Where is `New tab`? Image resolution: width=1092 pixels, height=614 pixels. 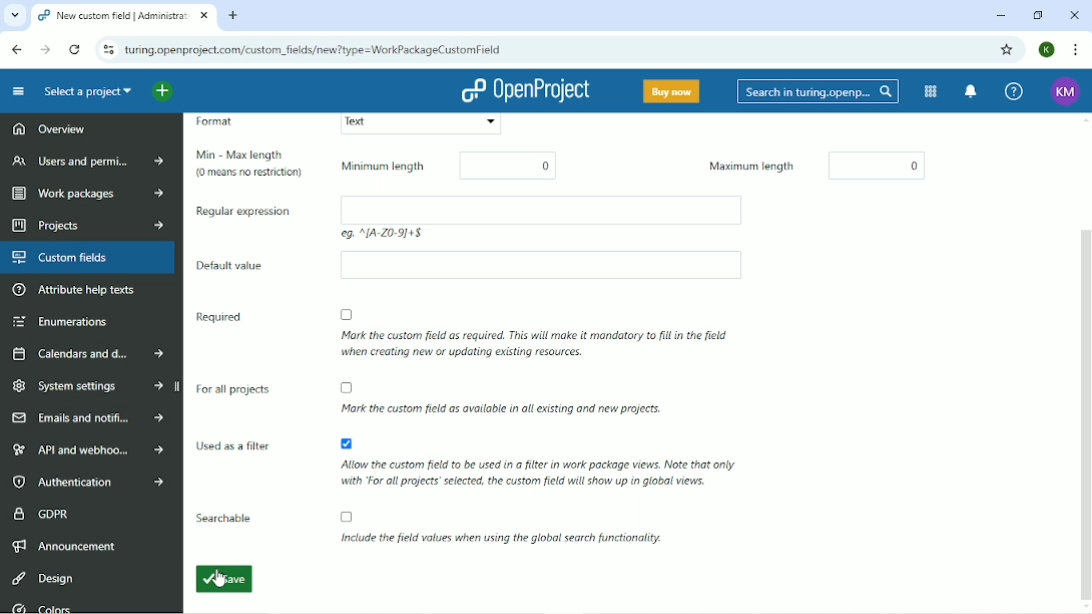
New tab is located at coordinates (235, 16).